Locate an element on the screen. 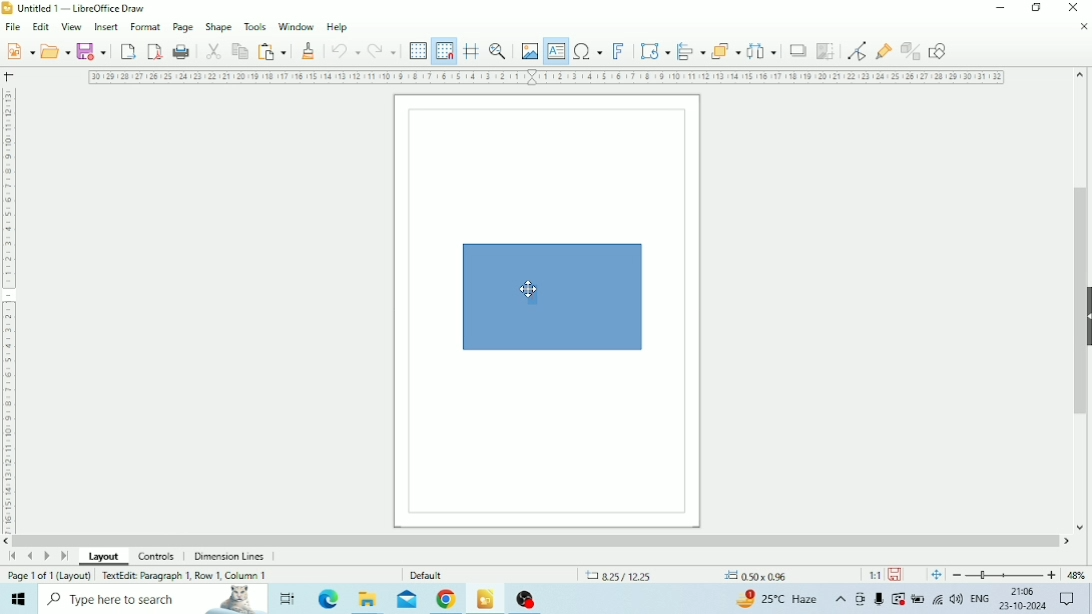  OBS Studio is located at coordinates (530, 600).